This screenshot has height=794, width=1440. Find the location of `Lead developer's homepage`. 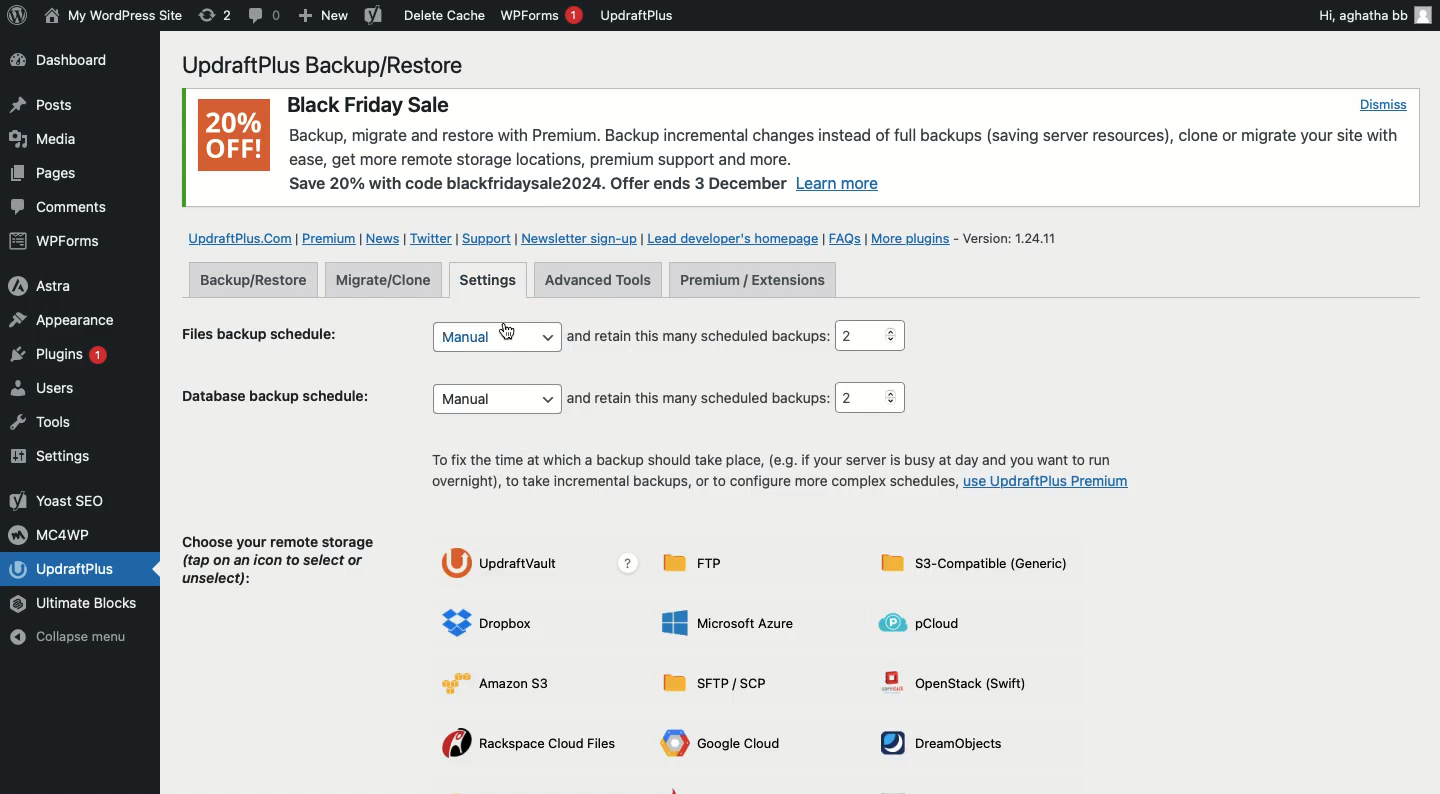

Lead developer's homepage is located at coordinates (733, 237).